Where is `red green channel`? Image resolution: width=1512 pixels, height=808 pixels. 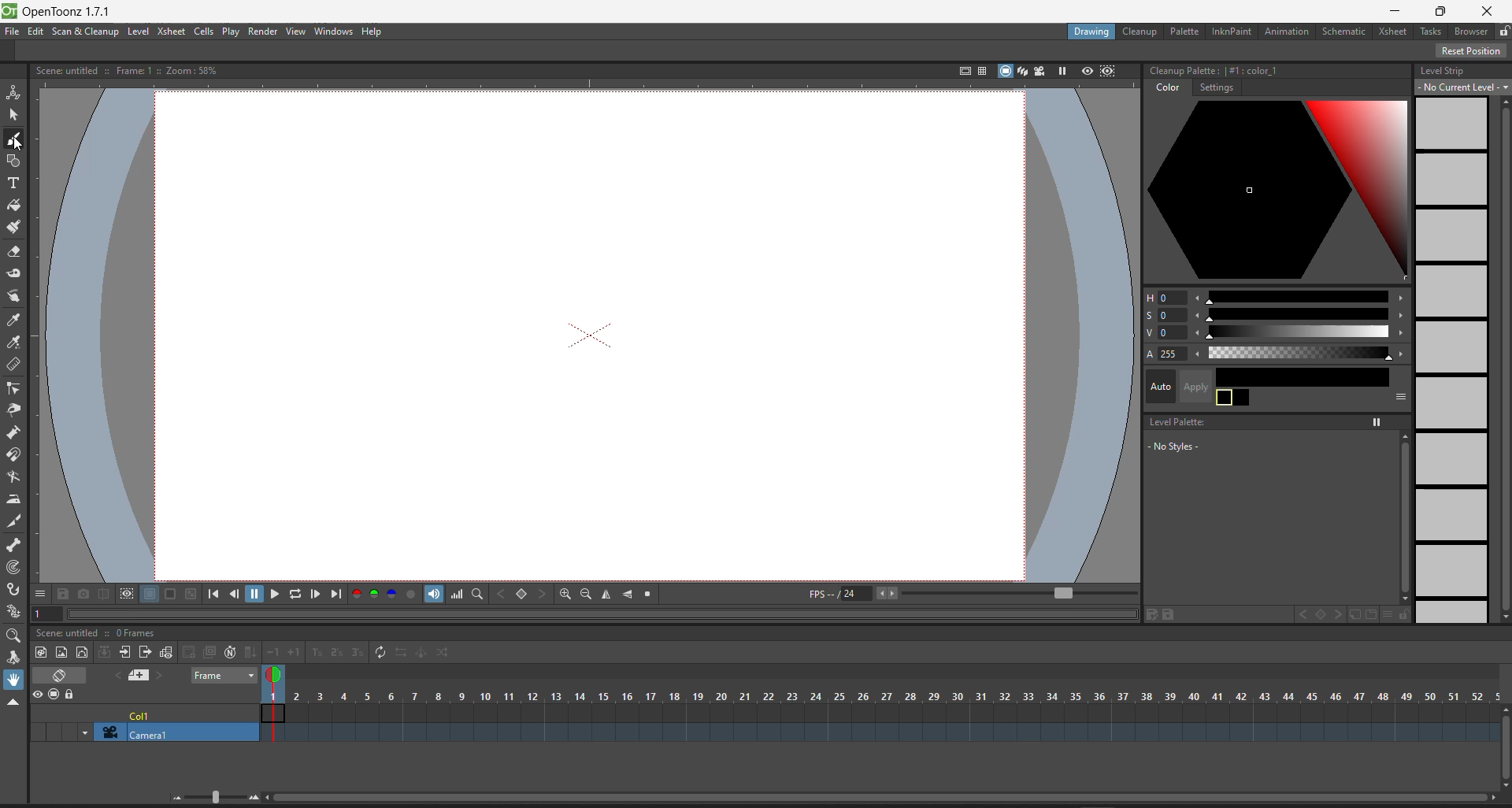 red green channel is located at coordinates (364, 594).